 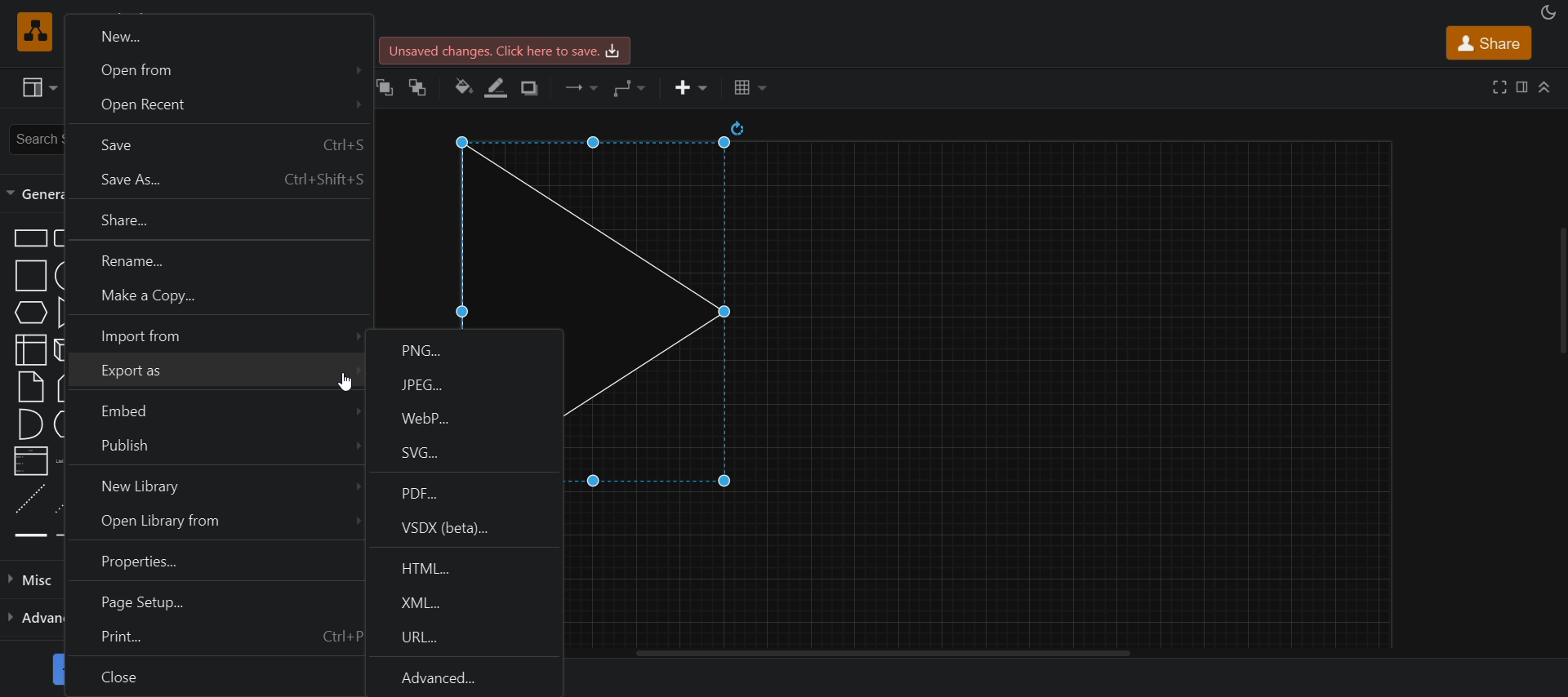 I want to click on png, so click(x=465, y=346).